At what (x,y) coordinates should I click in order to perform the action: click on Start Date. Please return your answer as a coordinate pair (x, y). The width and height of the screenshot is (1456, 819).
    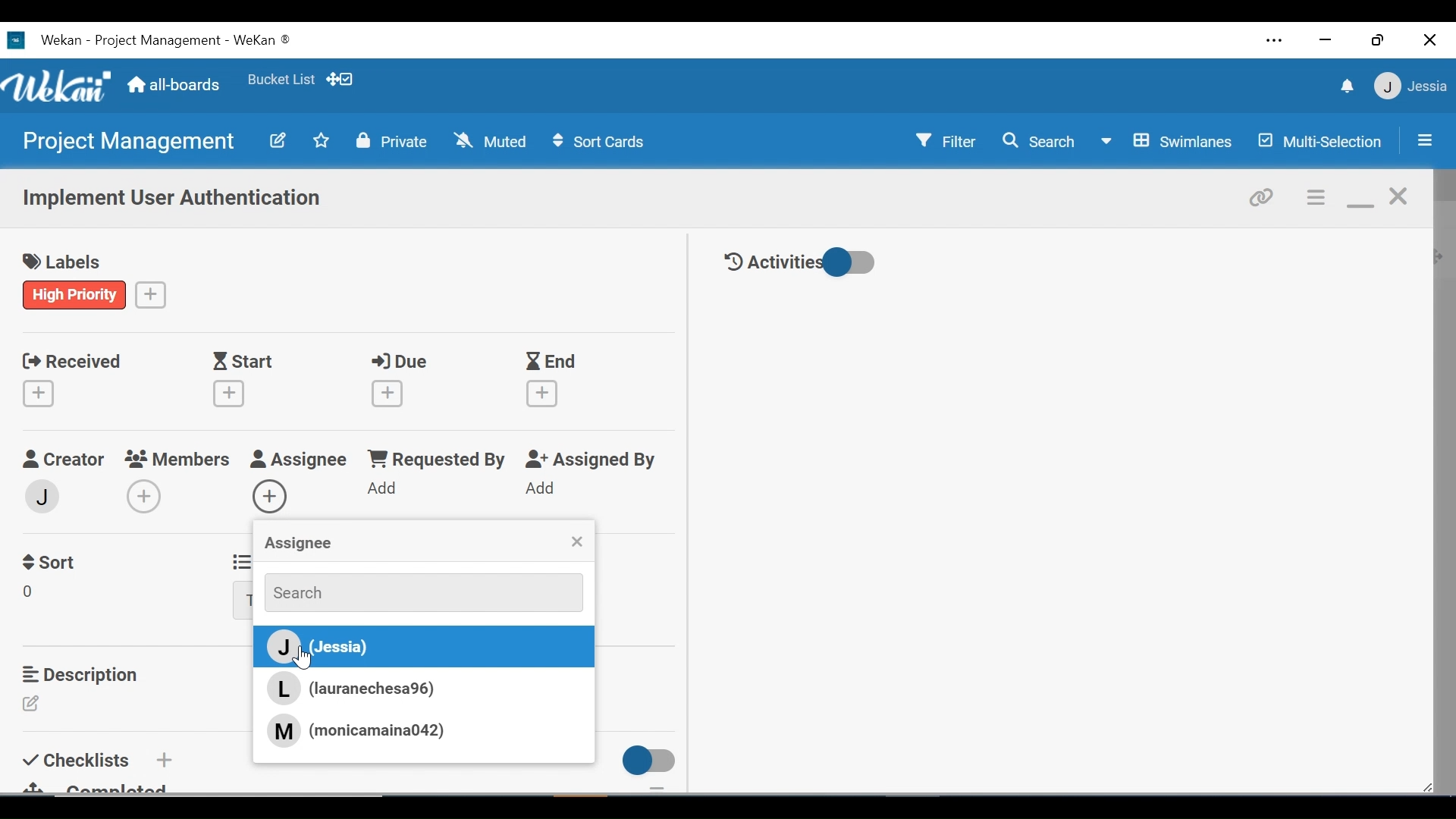
    Looking at the image, I should click on (246, 362).